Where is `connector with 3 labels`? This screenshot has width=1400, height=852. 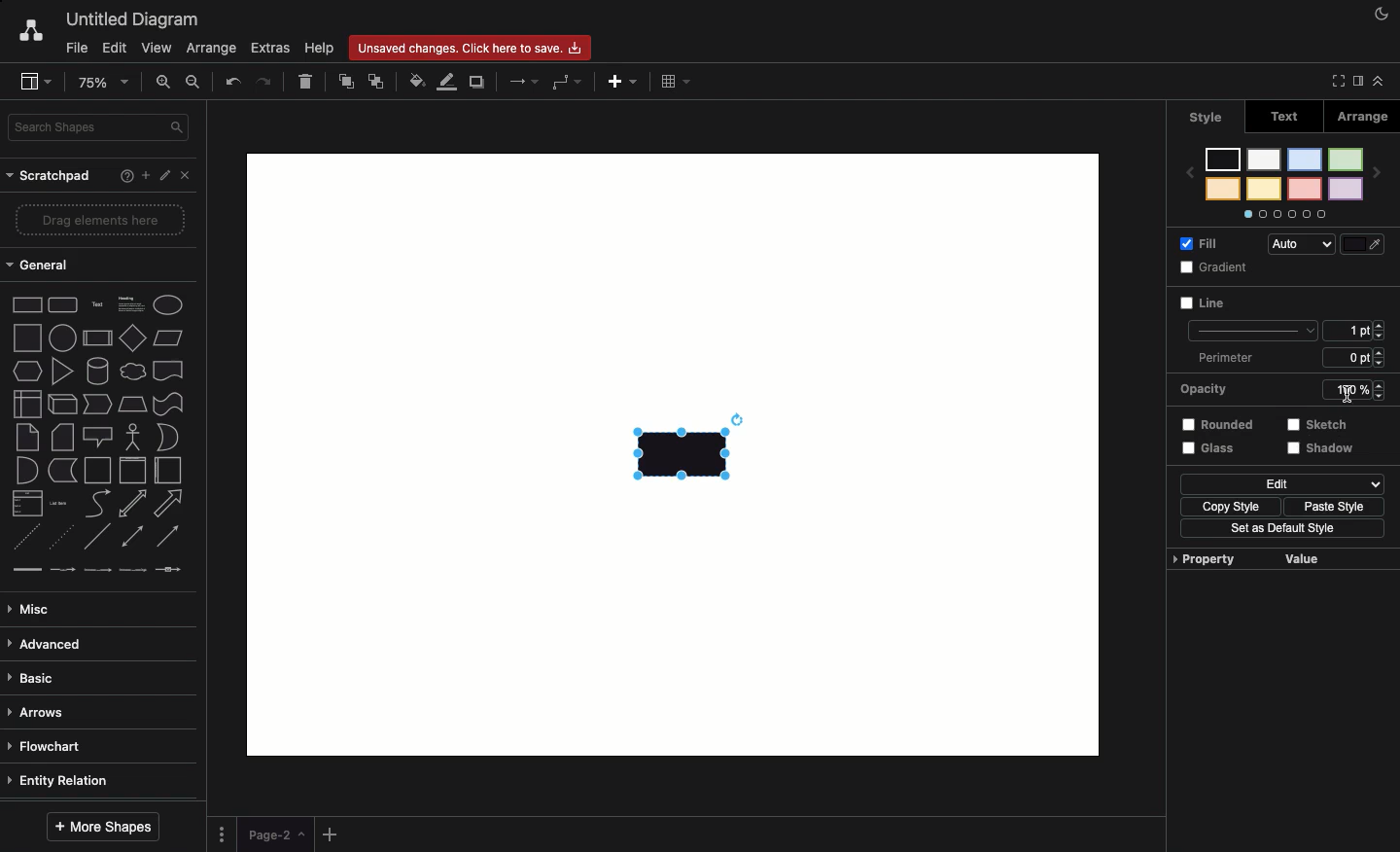 connector with 3 labels is located at coordinates (132, 570).